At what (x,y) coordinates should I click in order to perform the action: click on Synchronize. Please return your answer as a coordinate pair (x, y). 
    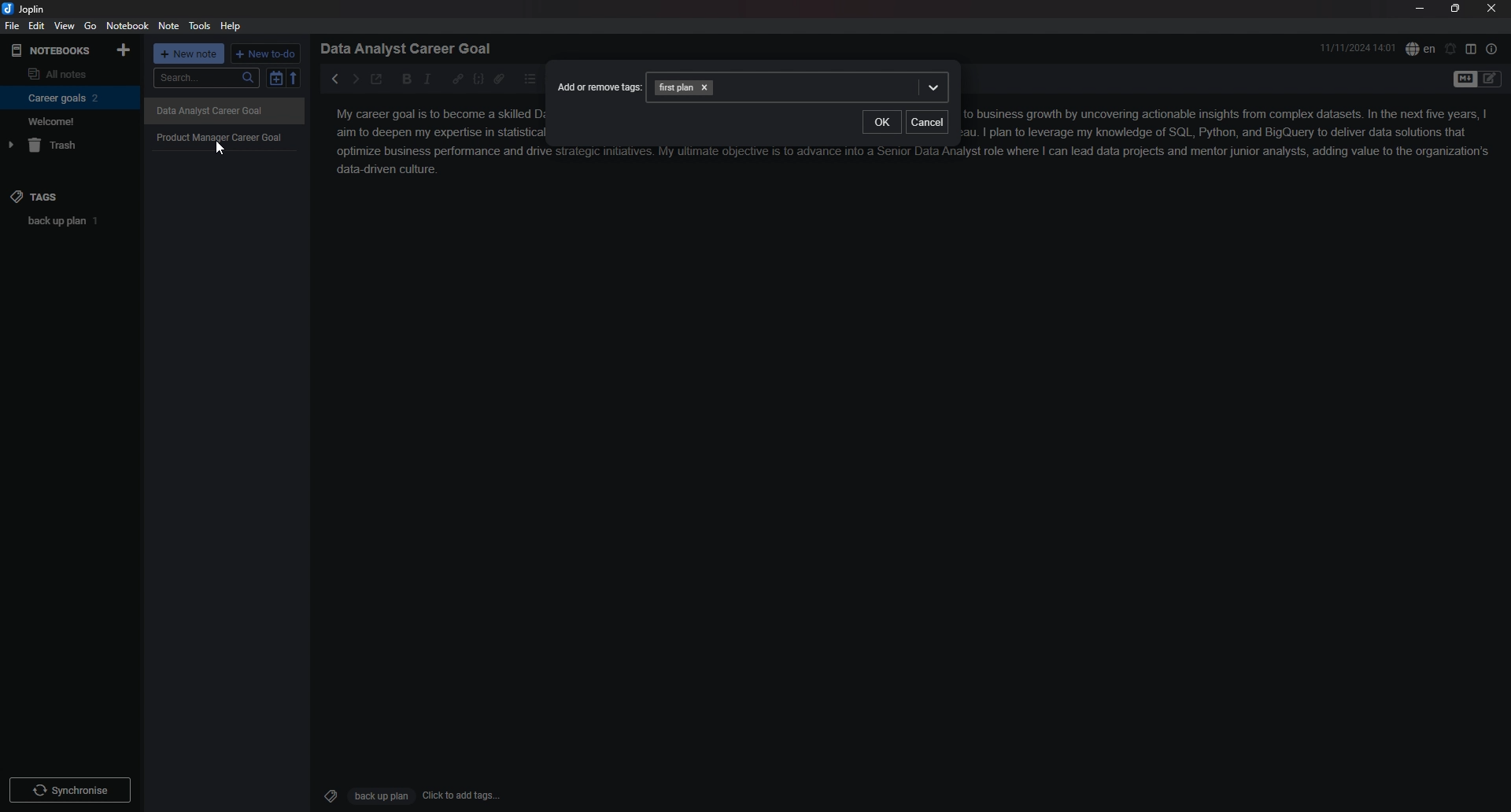
    Looking at the image, I should click on (71, 789).